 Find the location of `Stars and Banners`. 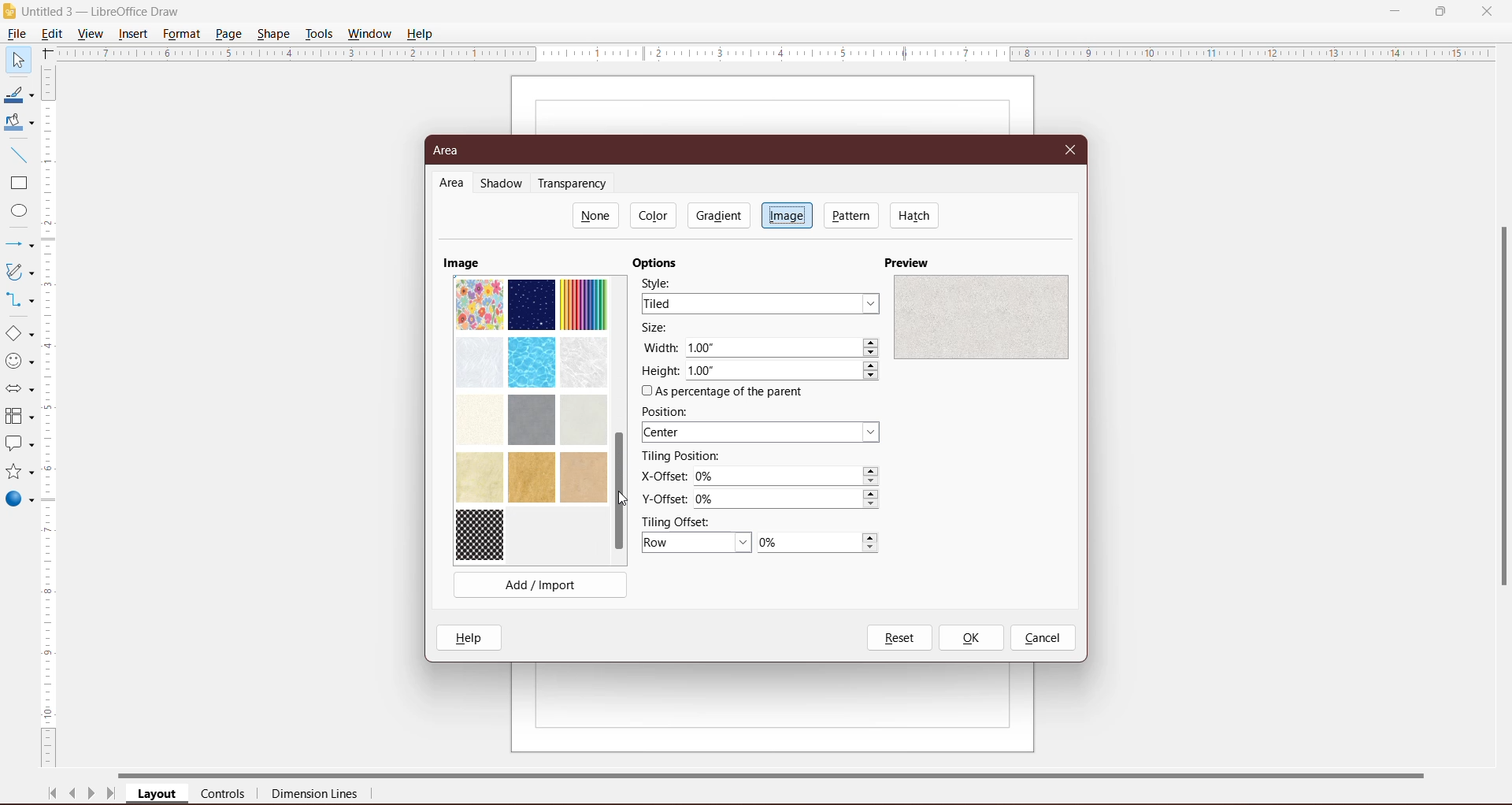

Stars and Banners is located at coordinates (18, 473).